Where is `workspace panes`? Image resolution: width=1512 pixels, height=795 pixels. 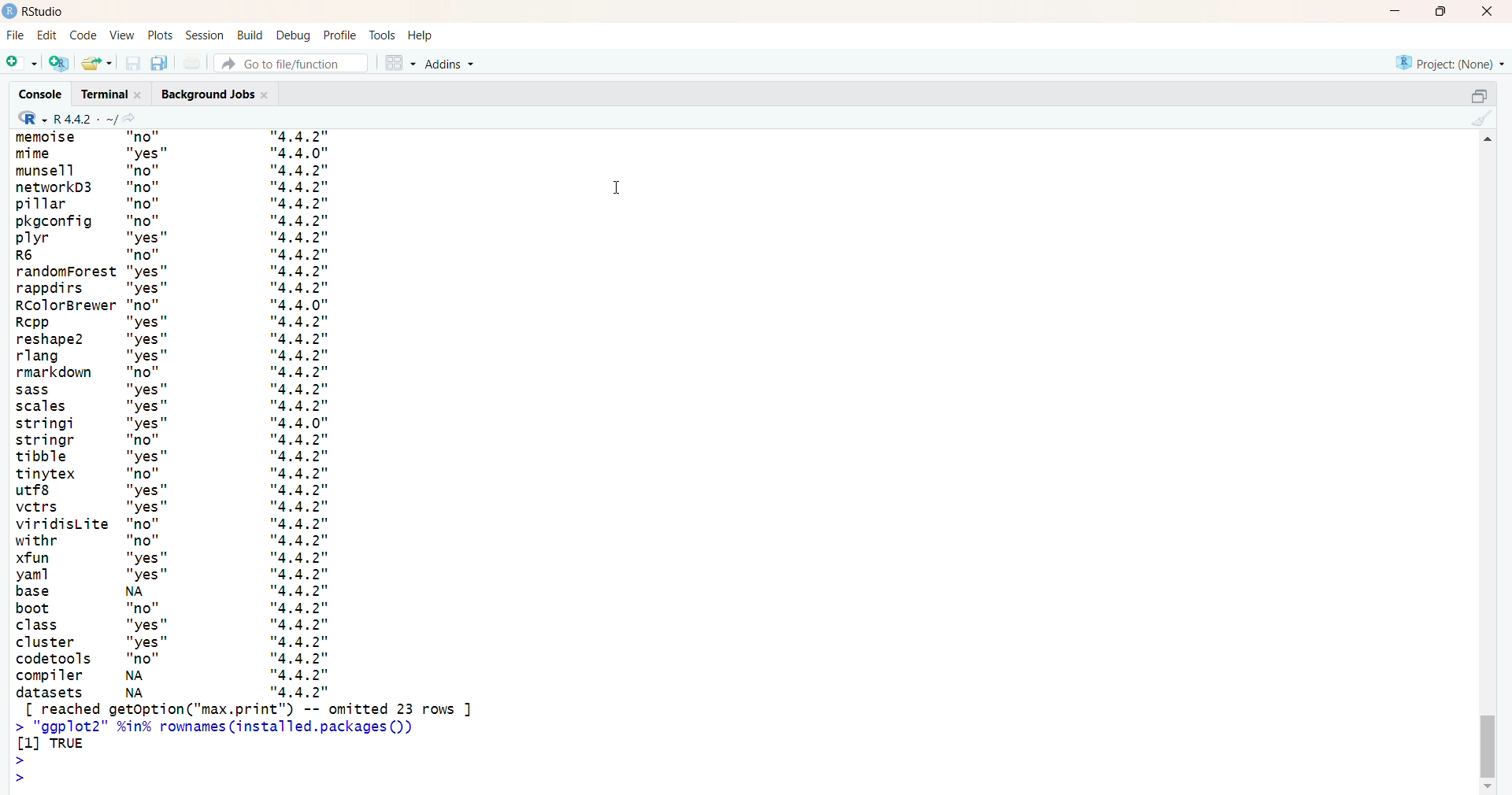
workspace panes is located at coordinates (399, 65).